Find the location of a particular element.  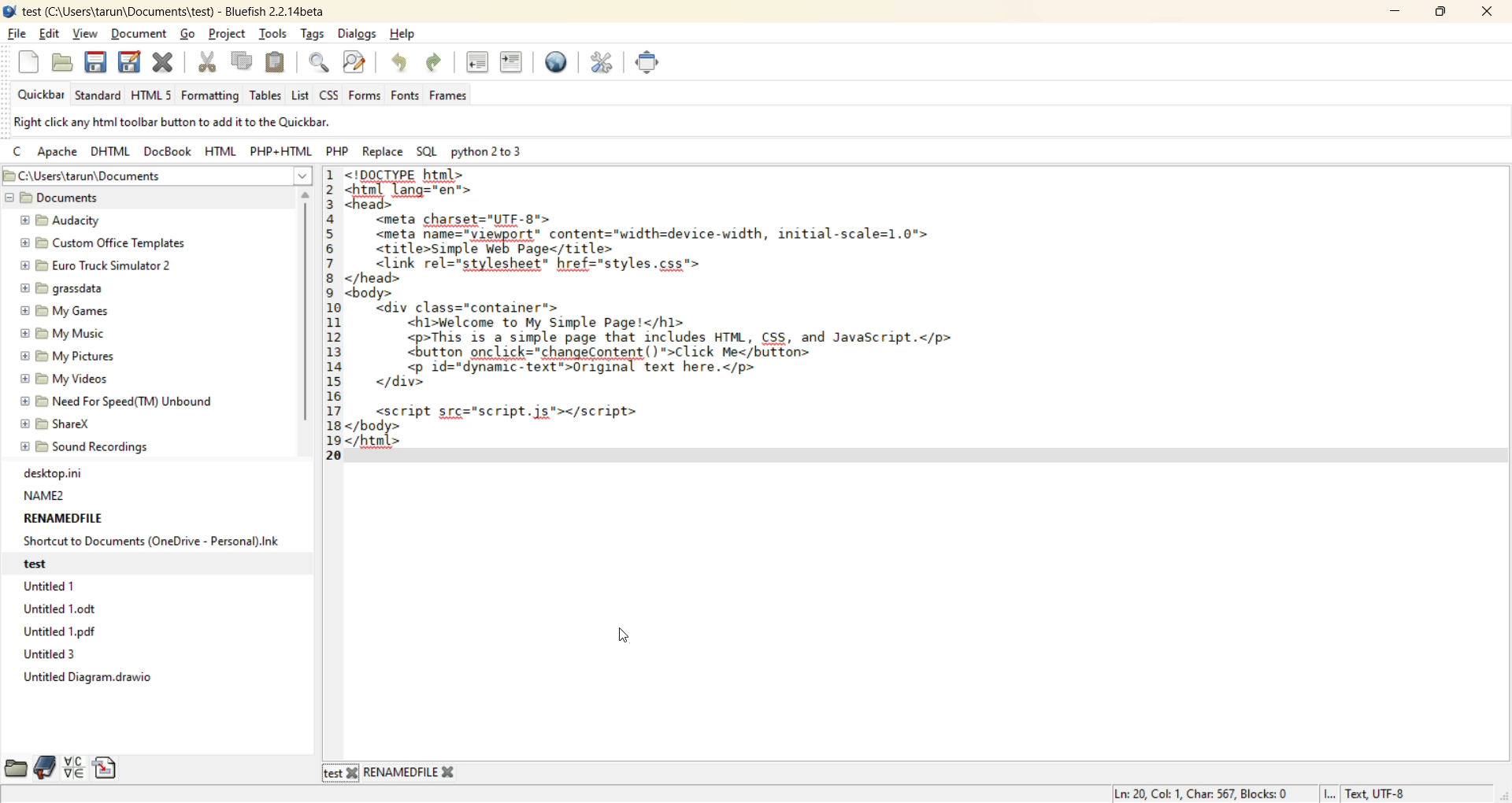

vertical scroll bar is located at coordinates (306, 314).